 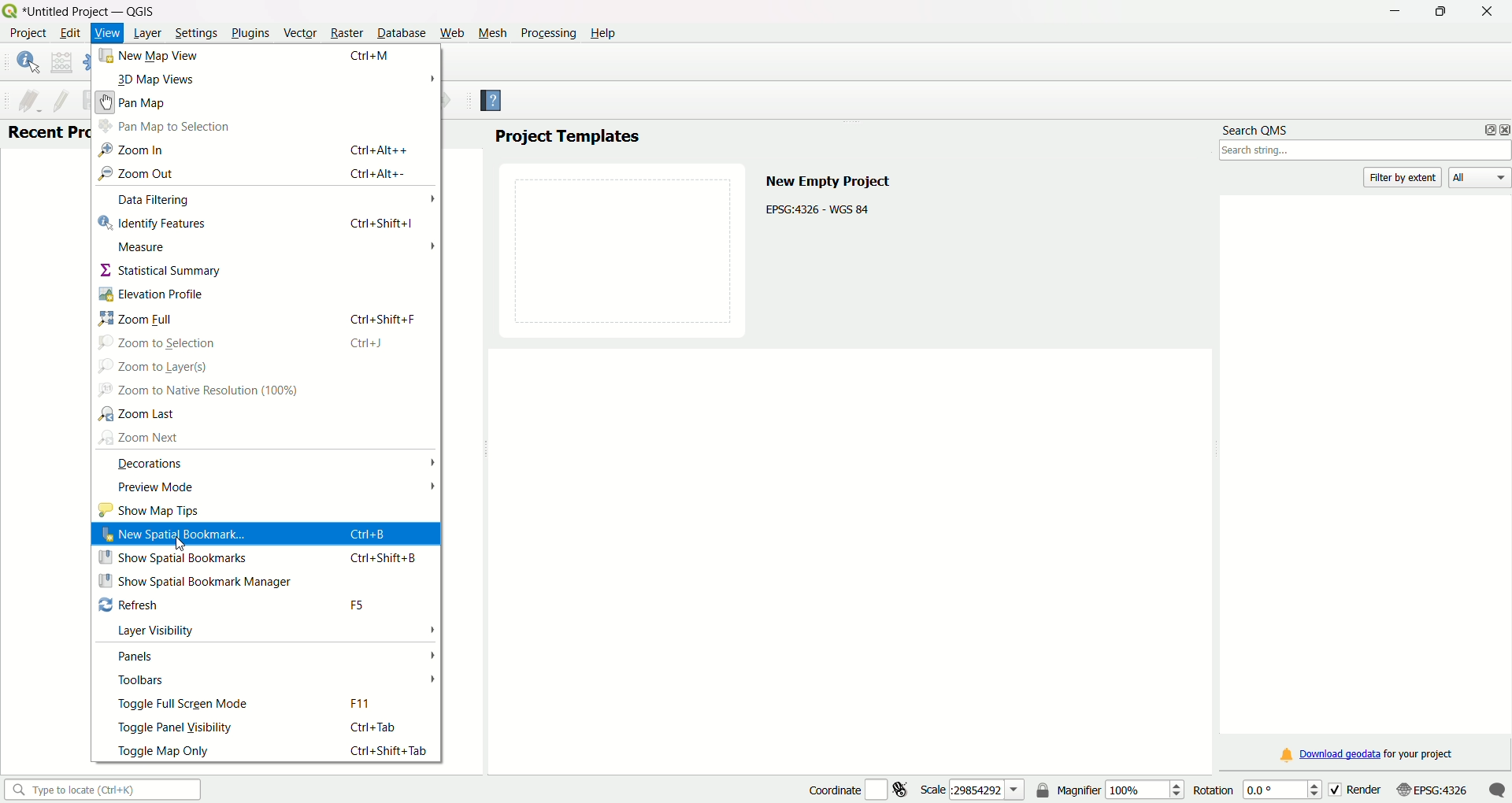 What do you see at coordinates (1121, 789) in the screenshot?
I see `magnifier` at bounding box center [1121, 789].